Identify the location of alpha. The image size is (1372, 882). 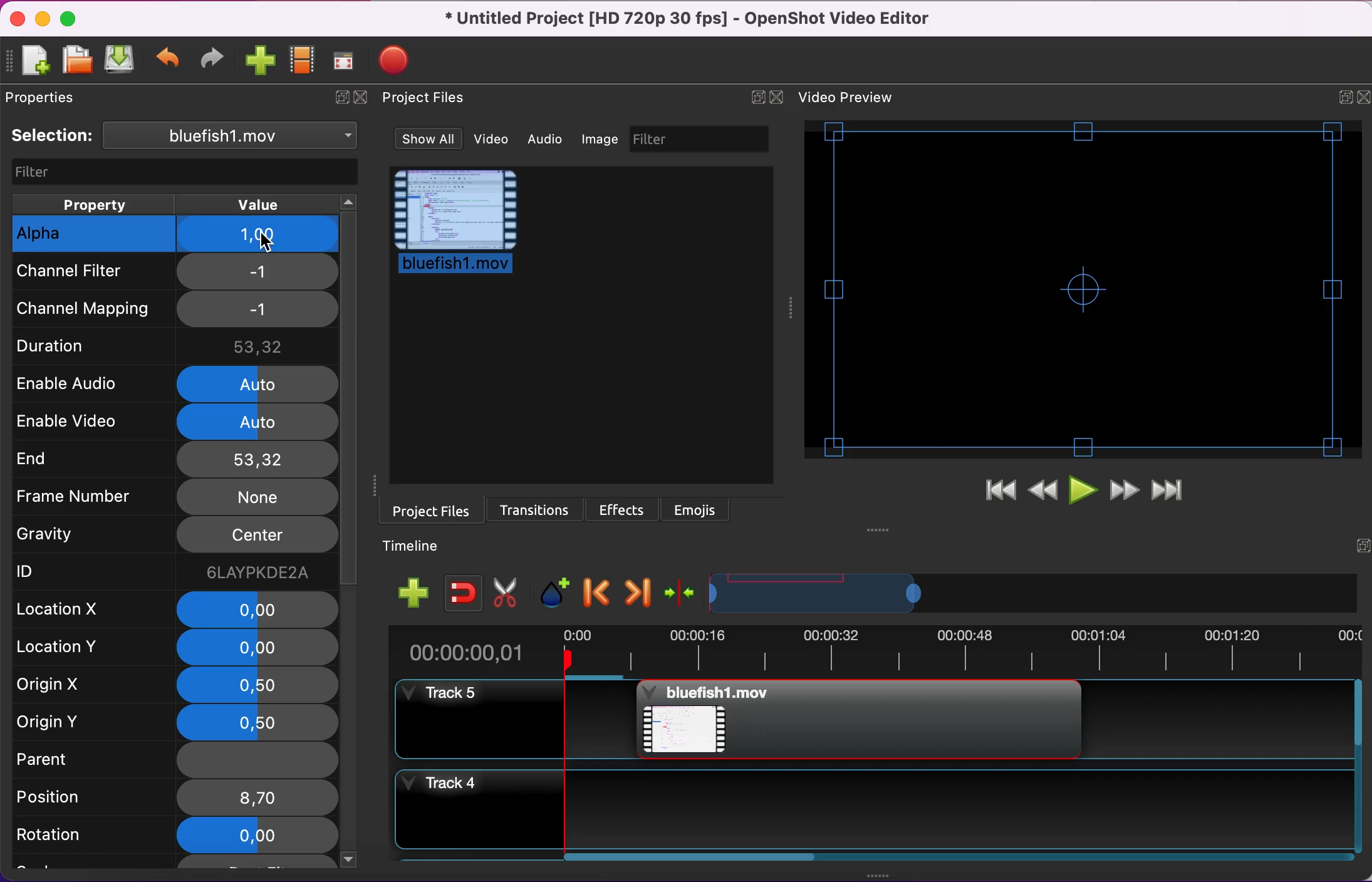
(93, 234).